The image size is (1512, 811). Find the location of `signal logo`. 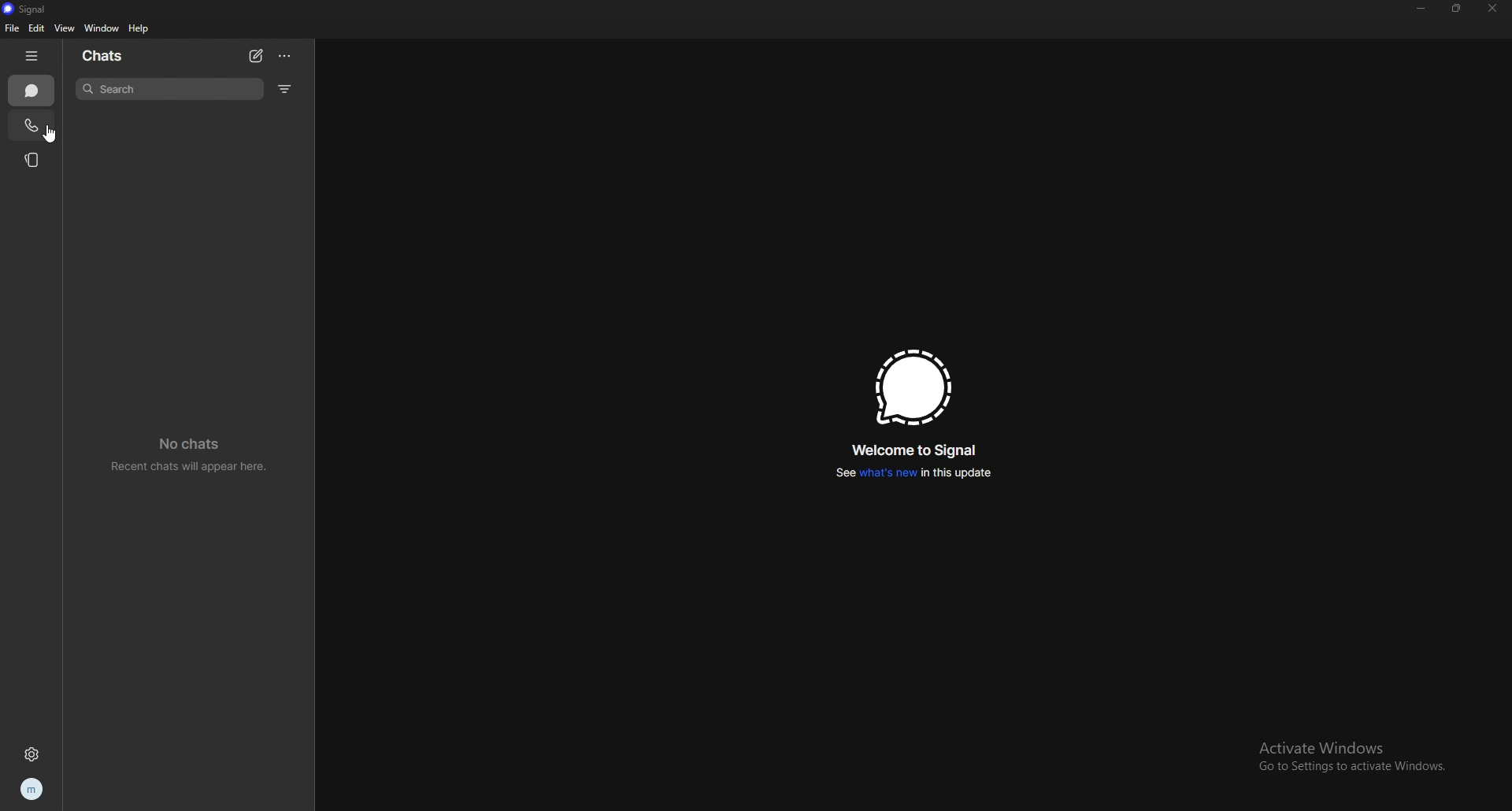

signal logo is located at coordinates (912, 387).